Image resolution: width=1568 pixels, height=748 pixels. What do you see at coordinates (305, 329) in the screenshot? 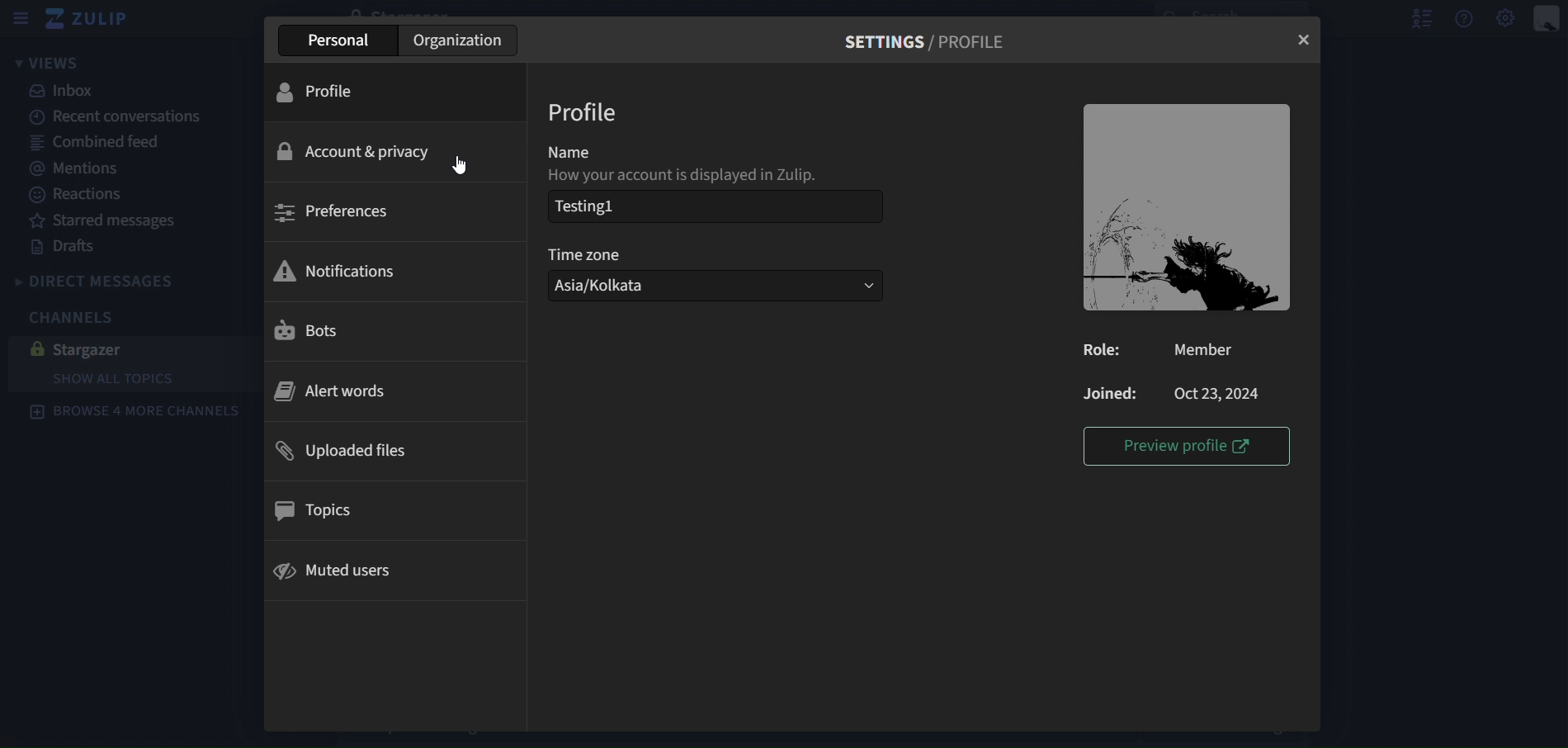
I see `bots` at bounding box center [305, 329].